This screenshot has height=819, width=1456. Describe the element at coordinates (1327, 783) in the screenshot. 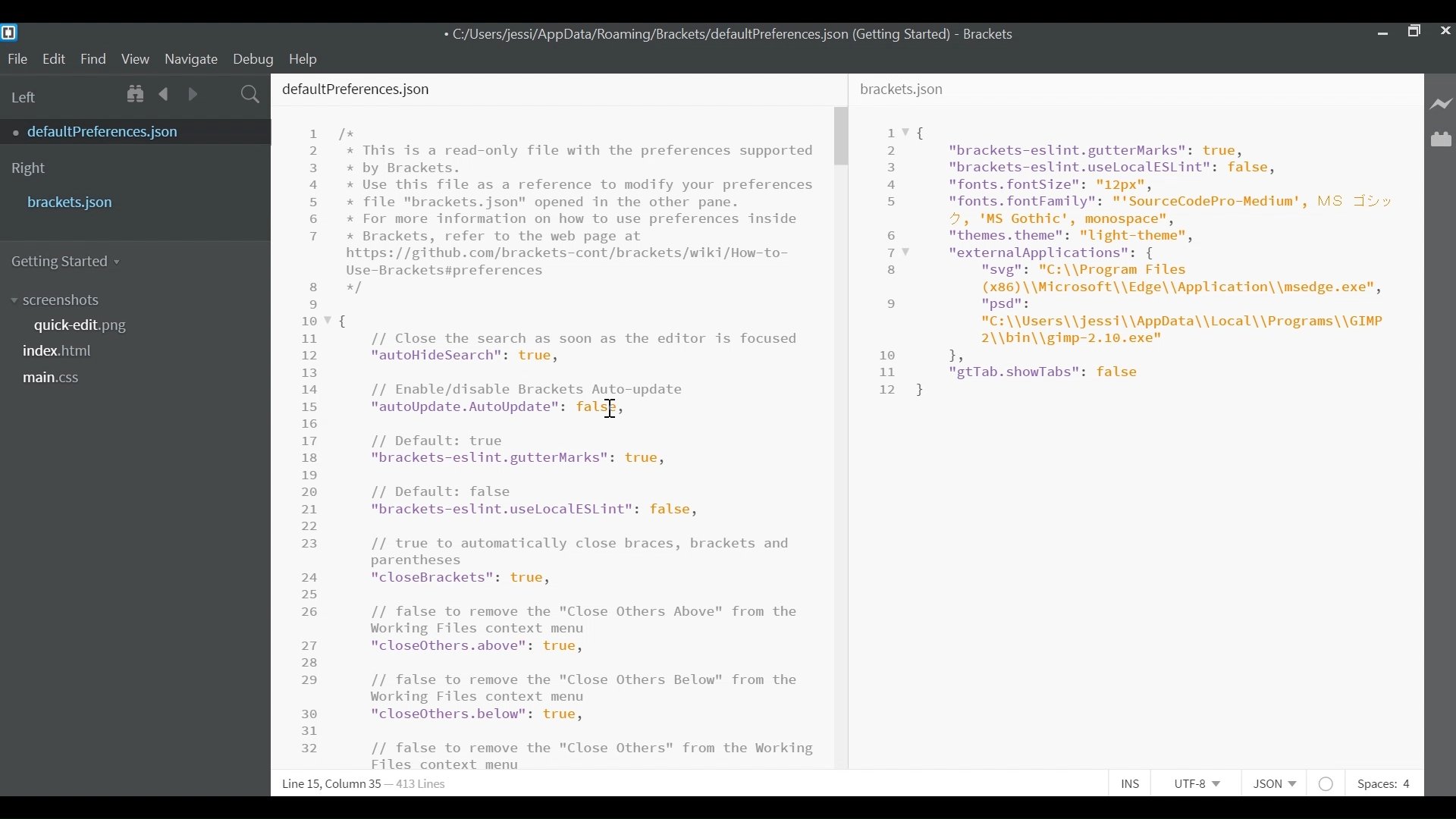

I see `No lintel available for JSON` at that location.